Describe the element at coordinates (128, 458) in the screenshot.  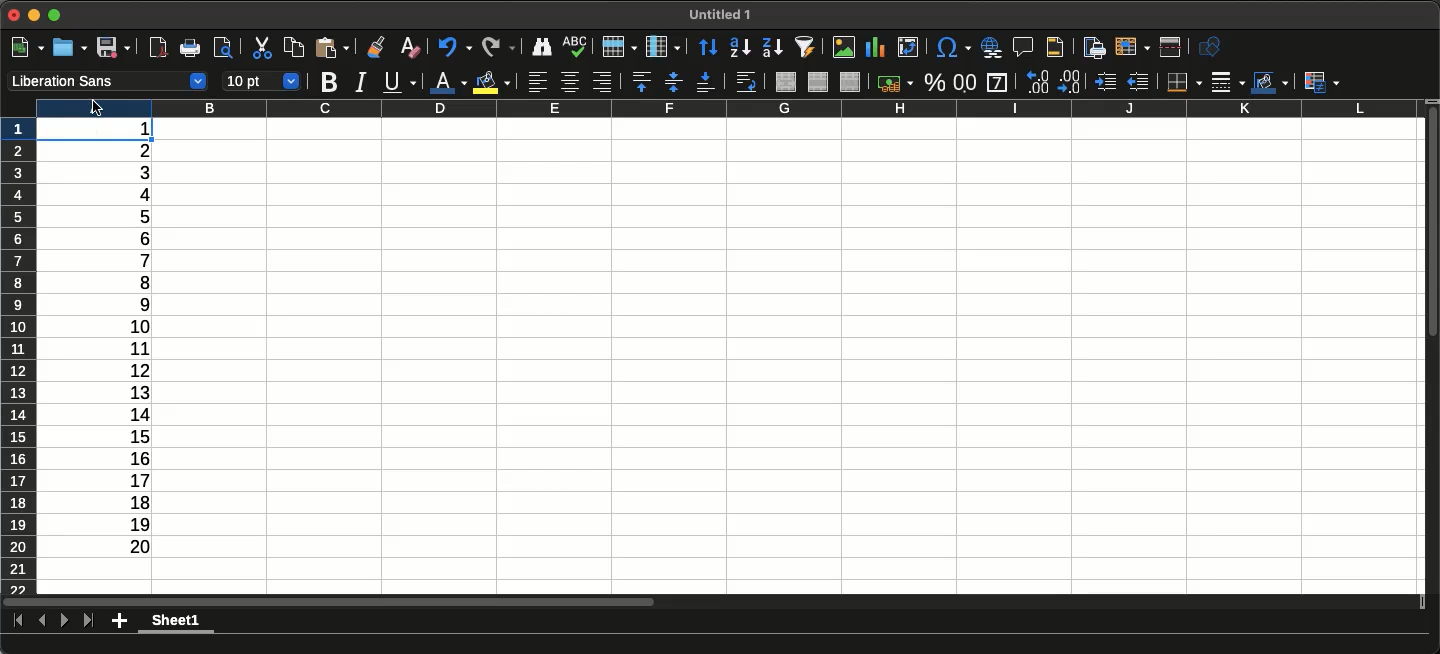
I see `16` at that location.